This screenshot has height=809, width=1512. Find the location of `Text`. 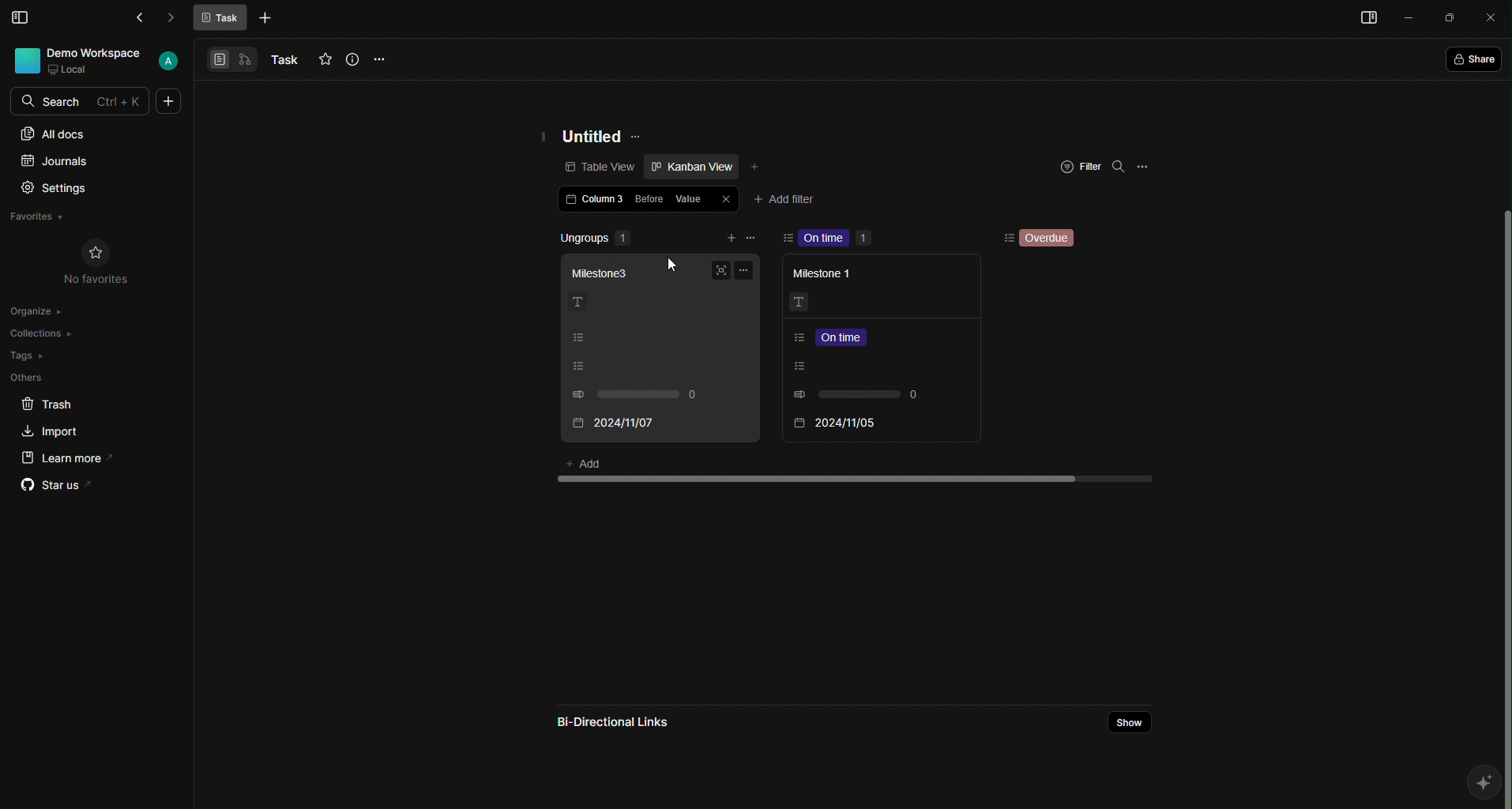

Text is located at coordinates (591, 303).